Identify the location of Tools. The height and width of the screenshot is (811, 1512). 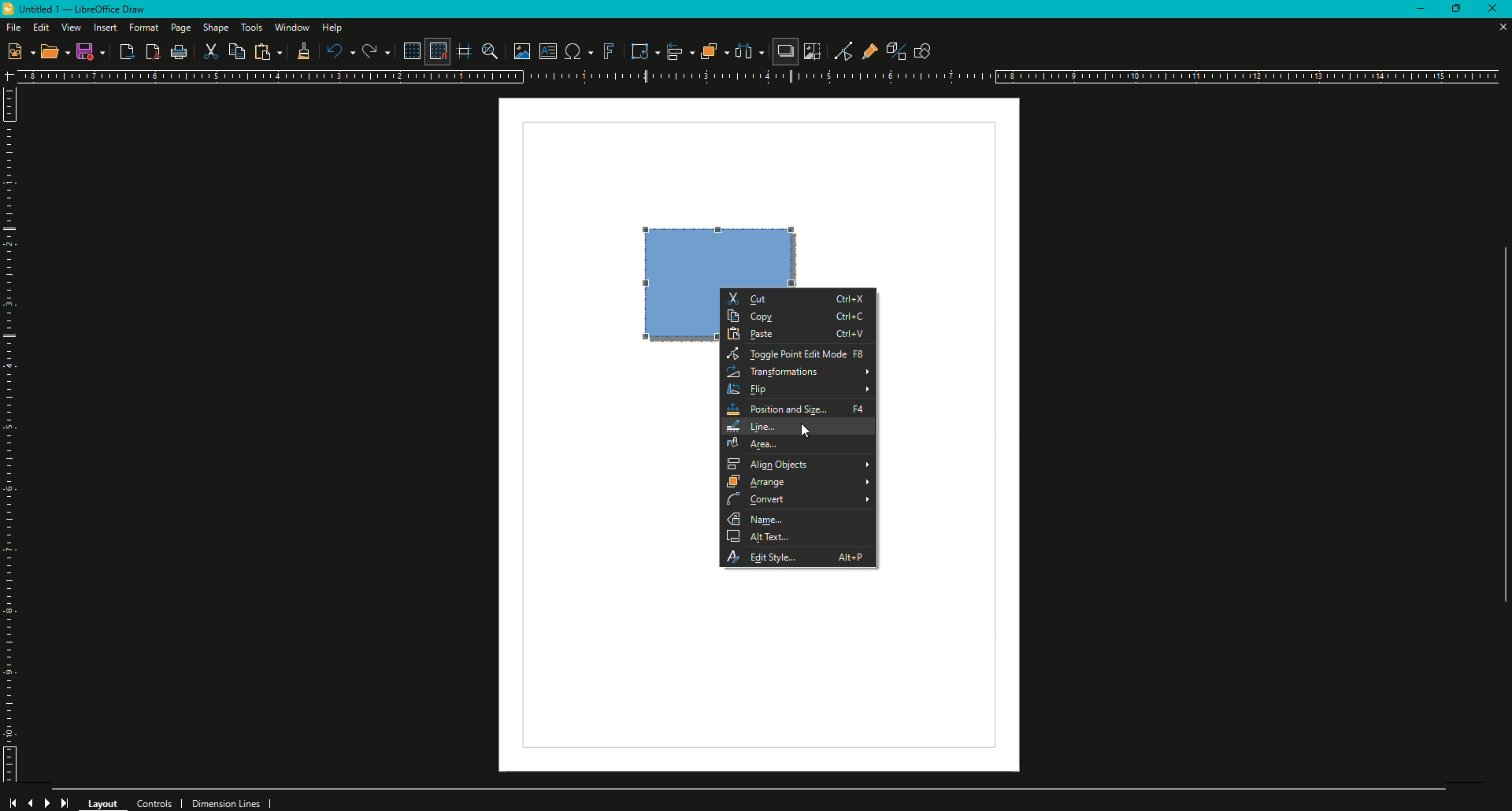
(251, 28).